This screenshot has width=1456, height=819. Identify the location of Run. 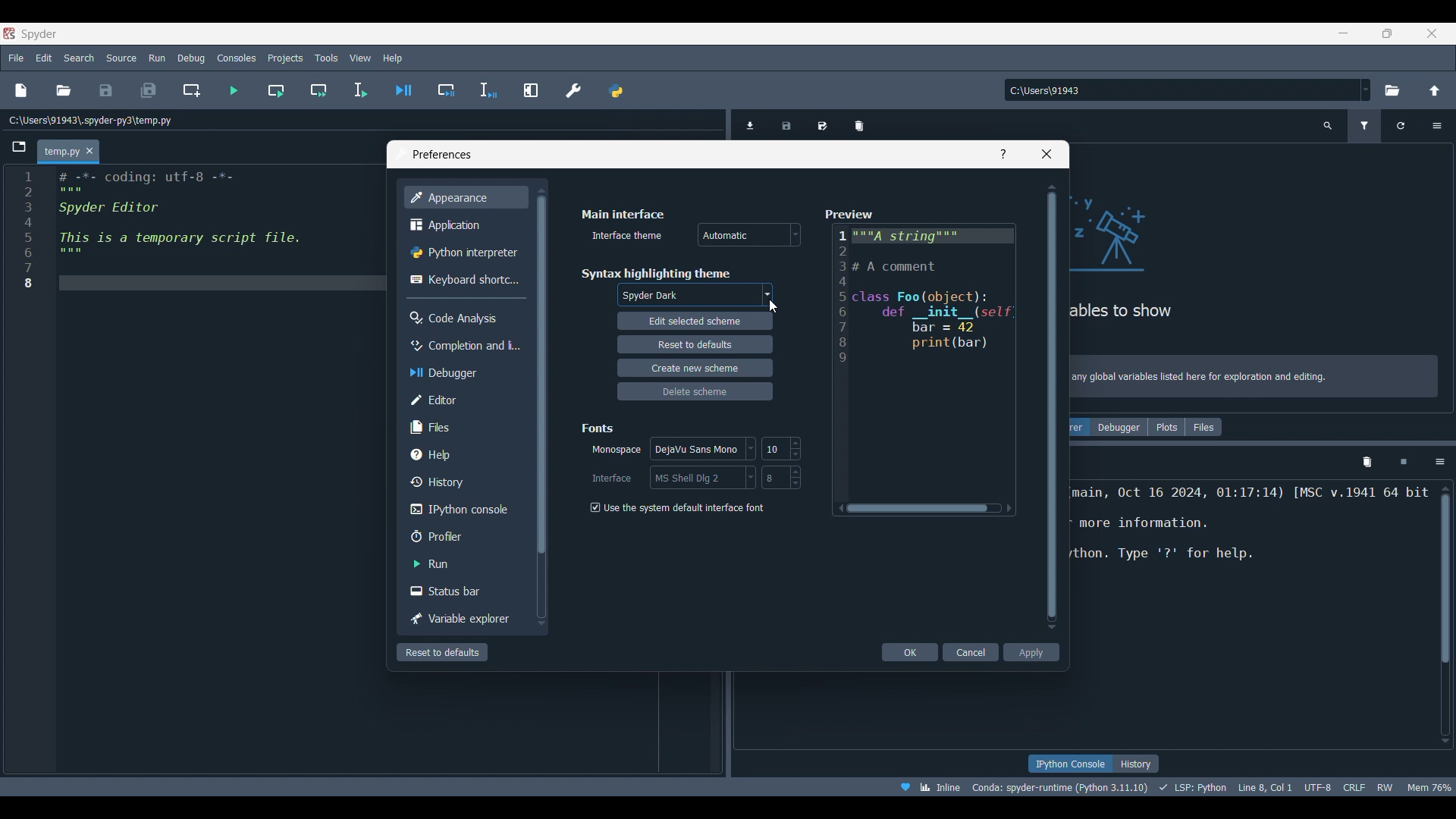
(464, 563).